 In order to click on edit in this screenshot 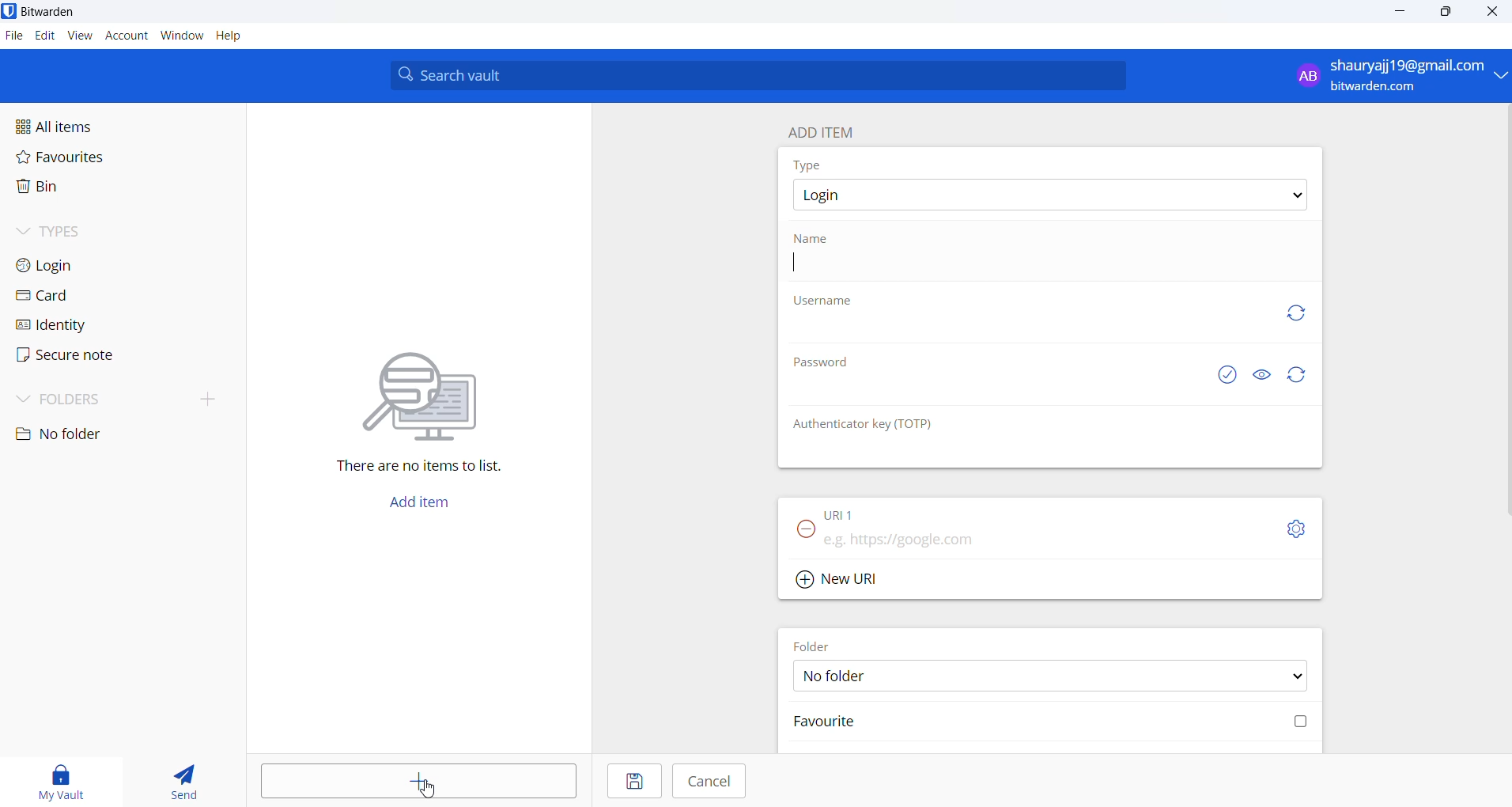, I will do `click(44, 37)`.